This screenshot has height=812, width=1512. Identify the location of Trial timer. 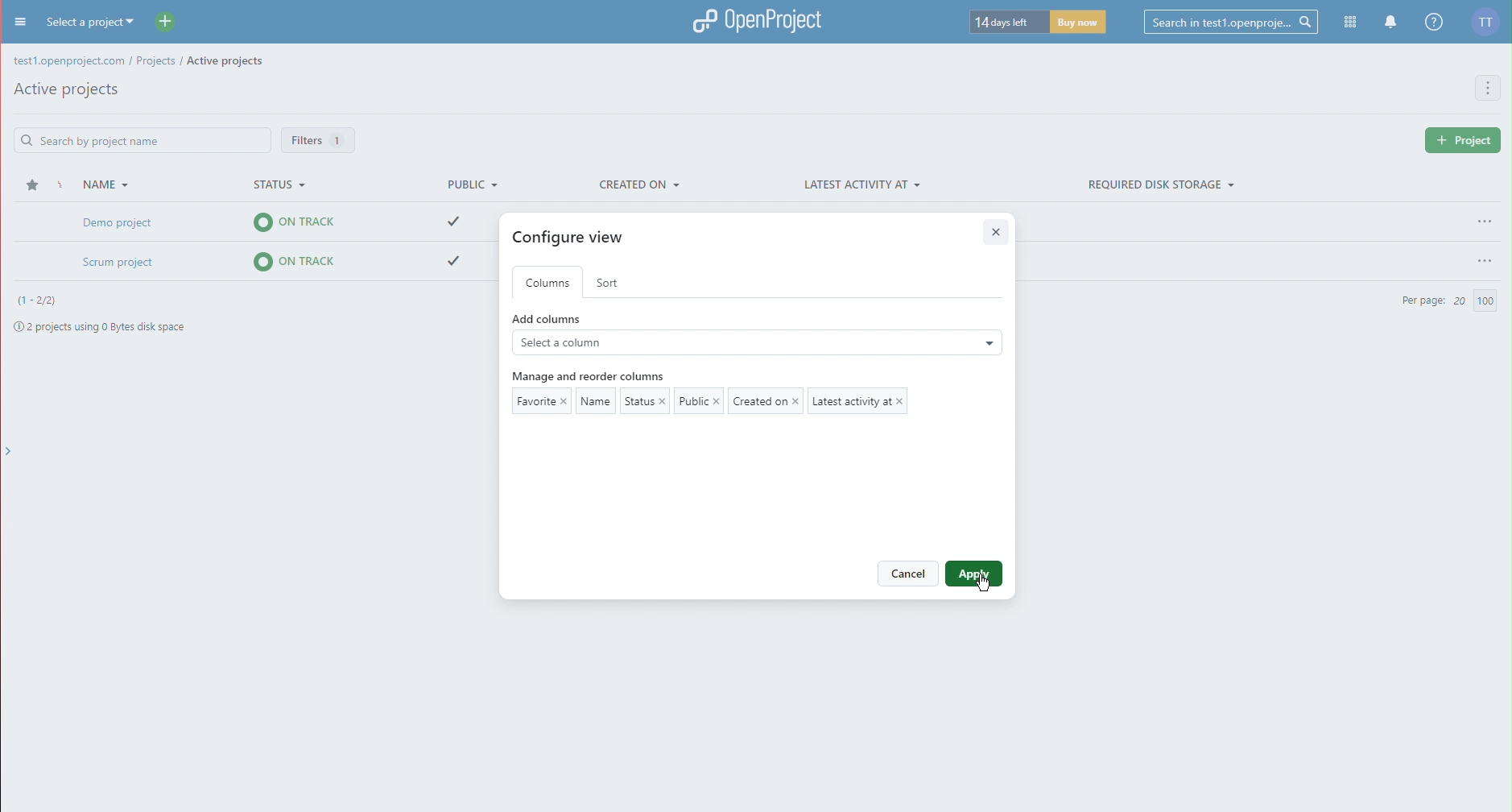
(1039, 24).